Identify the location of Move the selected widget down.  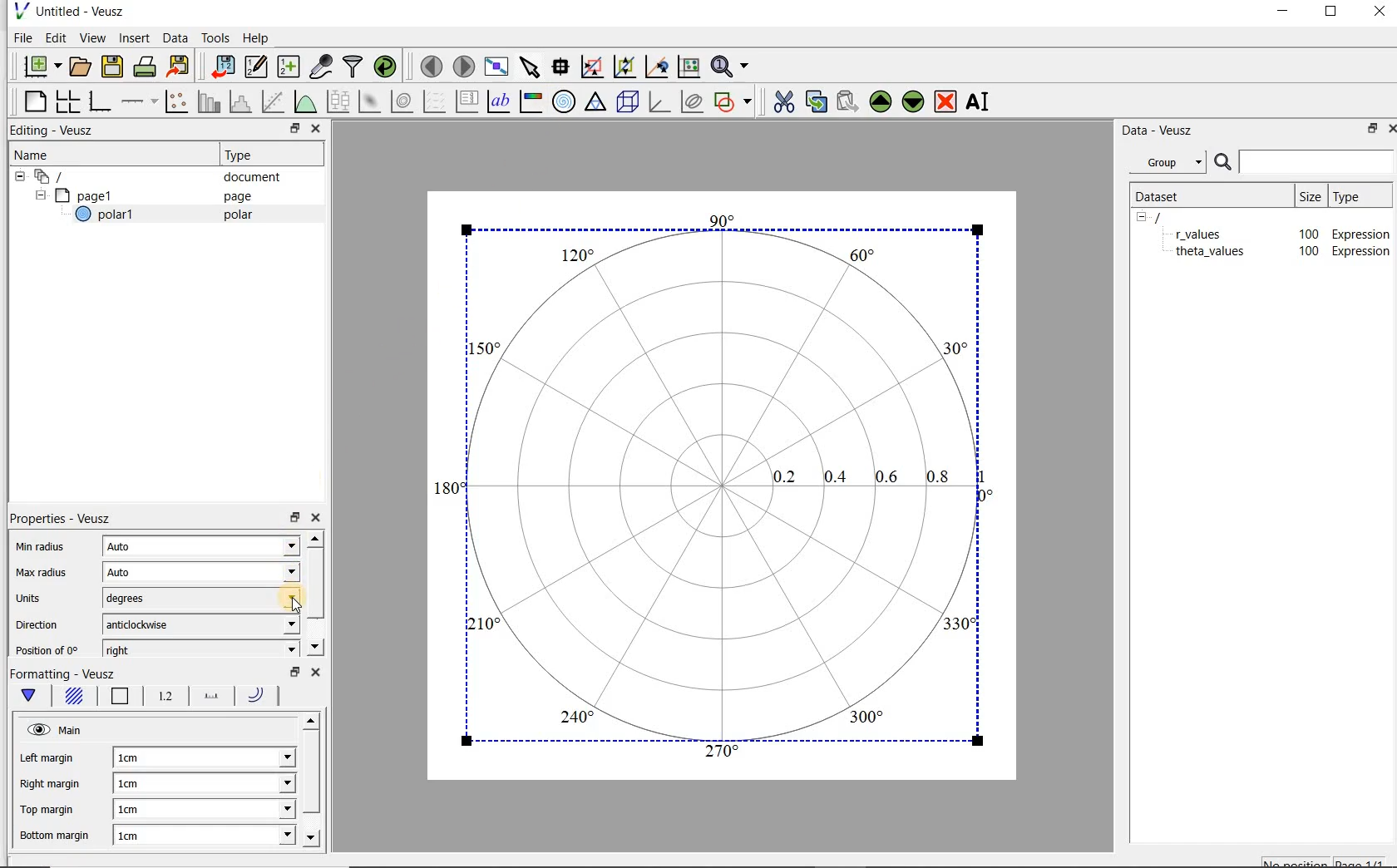
(914, 101).